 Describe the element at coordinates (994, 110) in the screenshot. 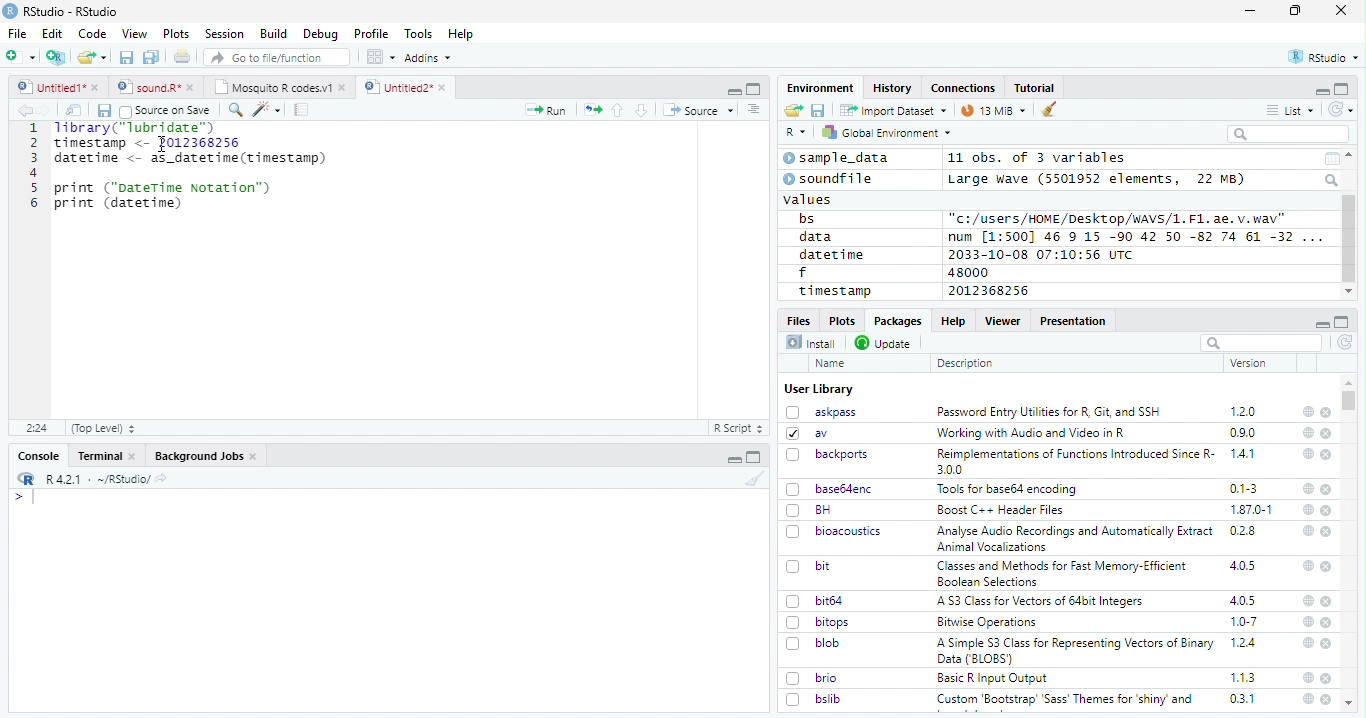

I see `15 MiB` at that location.